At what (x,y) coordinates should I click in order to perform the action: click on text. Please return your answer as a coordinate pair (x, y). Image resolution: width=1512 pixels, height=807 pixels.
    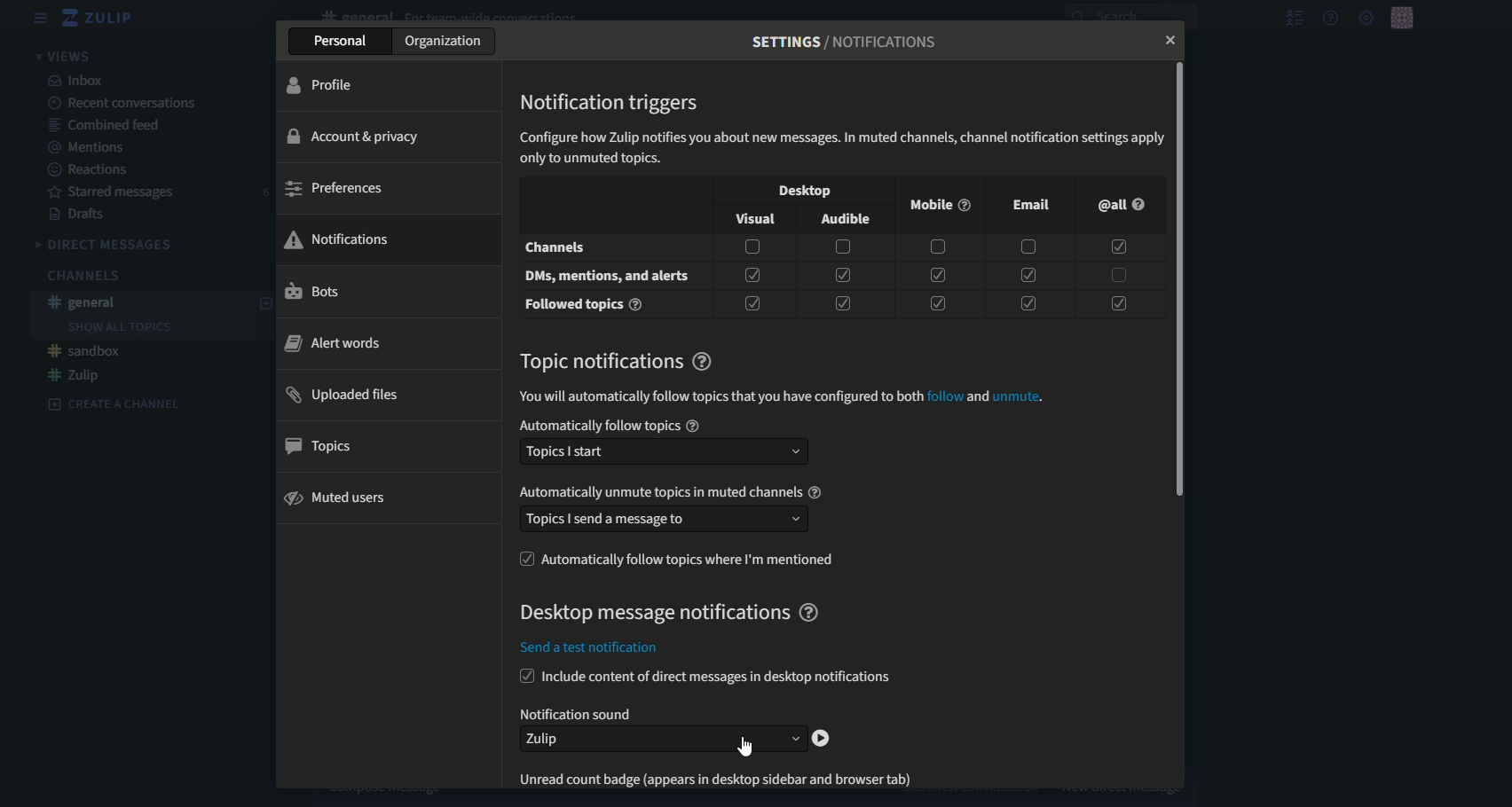
    Looking at the image, I should click on (693, 560).